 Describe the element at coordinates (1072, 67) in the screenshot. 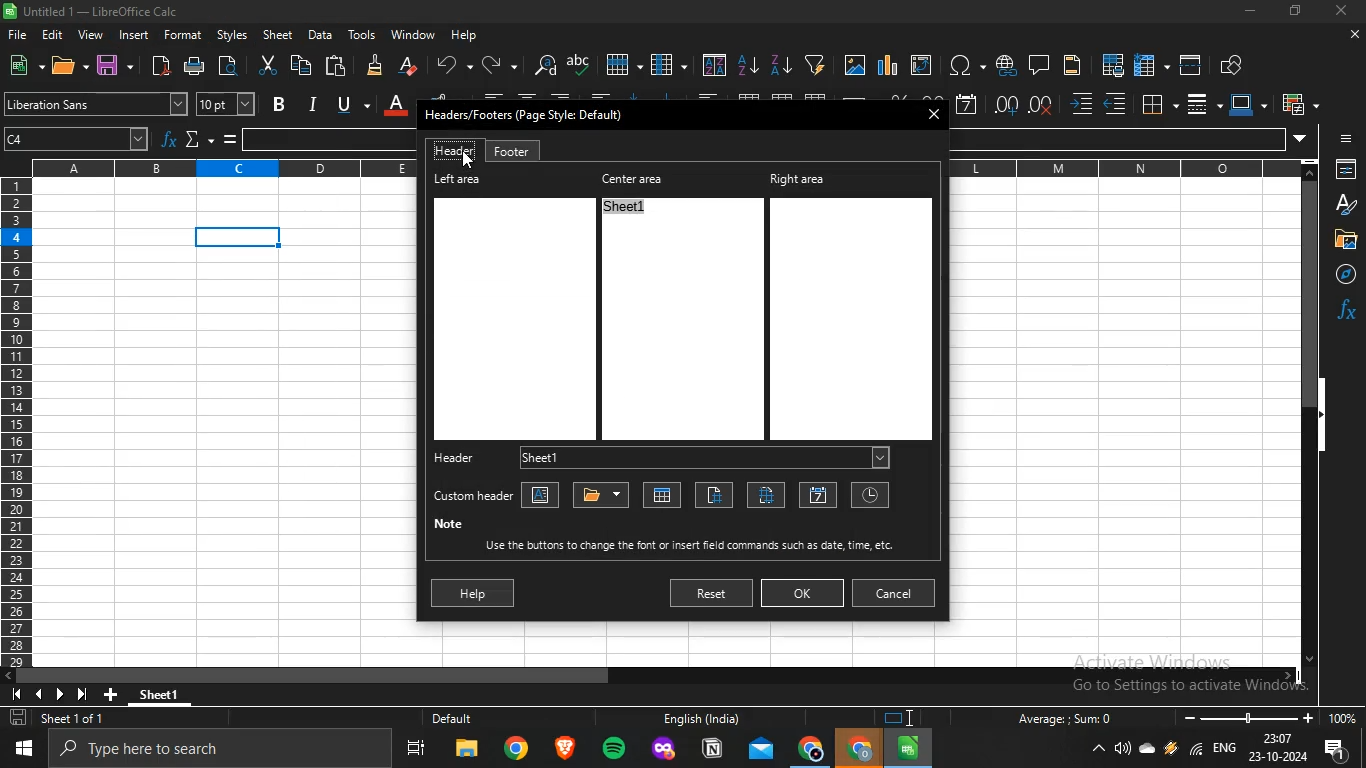

I see `headers and footers` at that location.